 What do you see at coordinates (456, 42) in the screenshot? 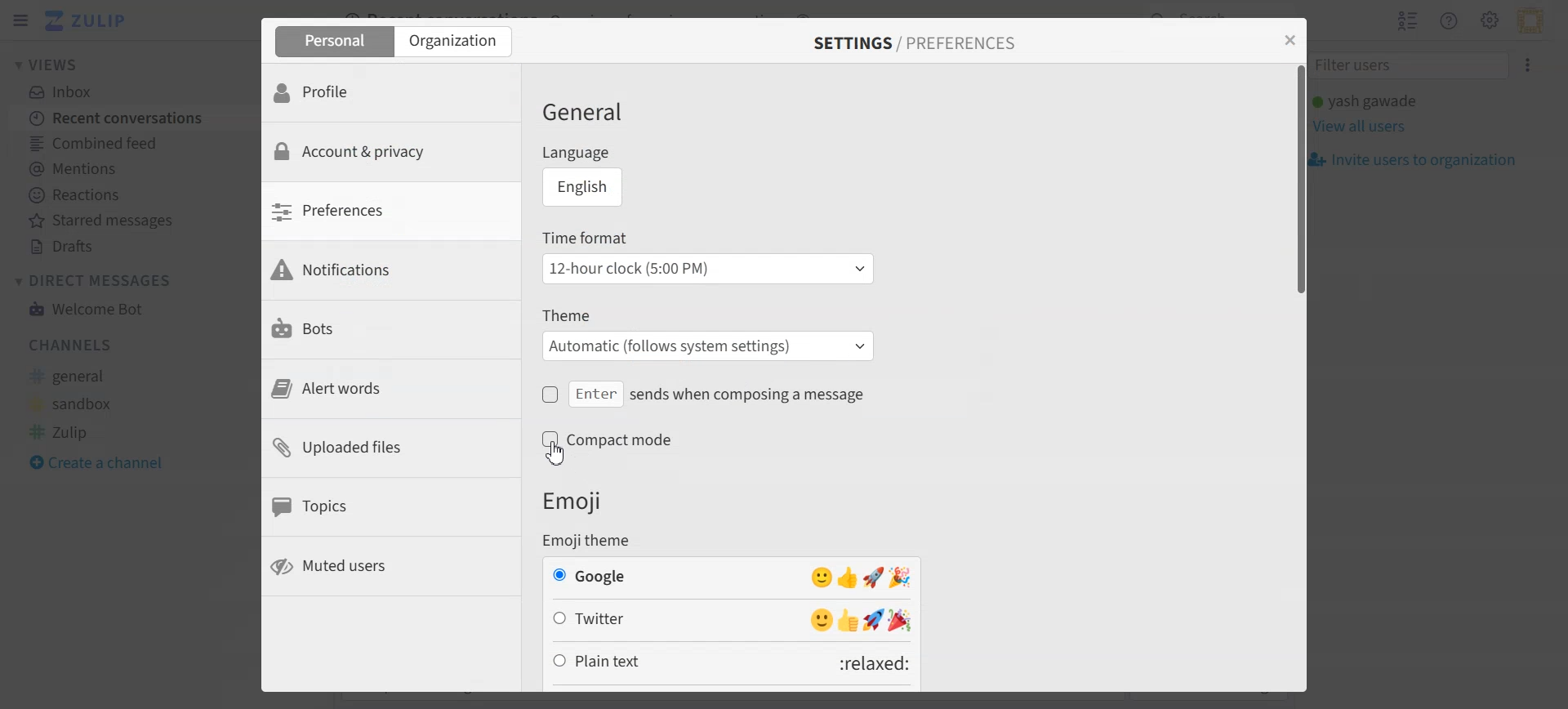
I see `Organization` at bounding box center [456, 42].